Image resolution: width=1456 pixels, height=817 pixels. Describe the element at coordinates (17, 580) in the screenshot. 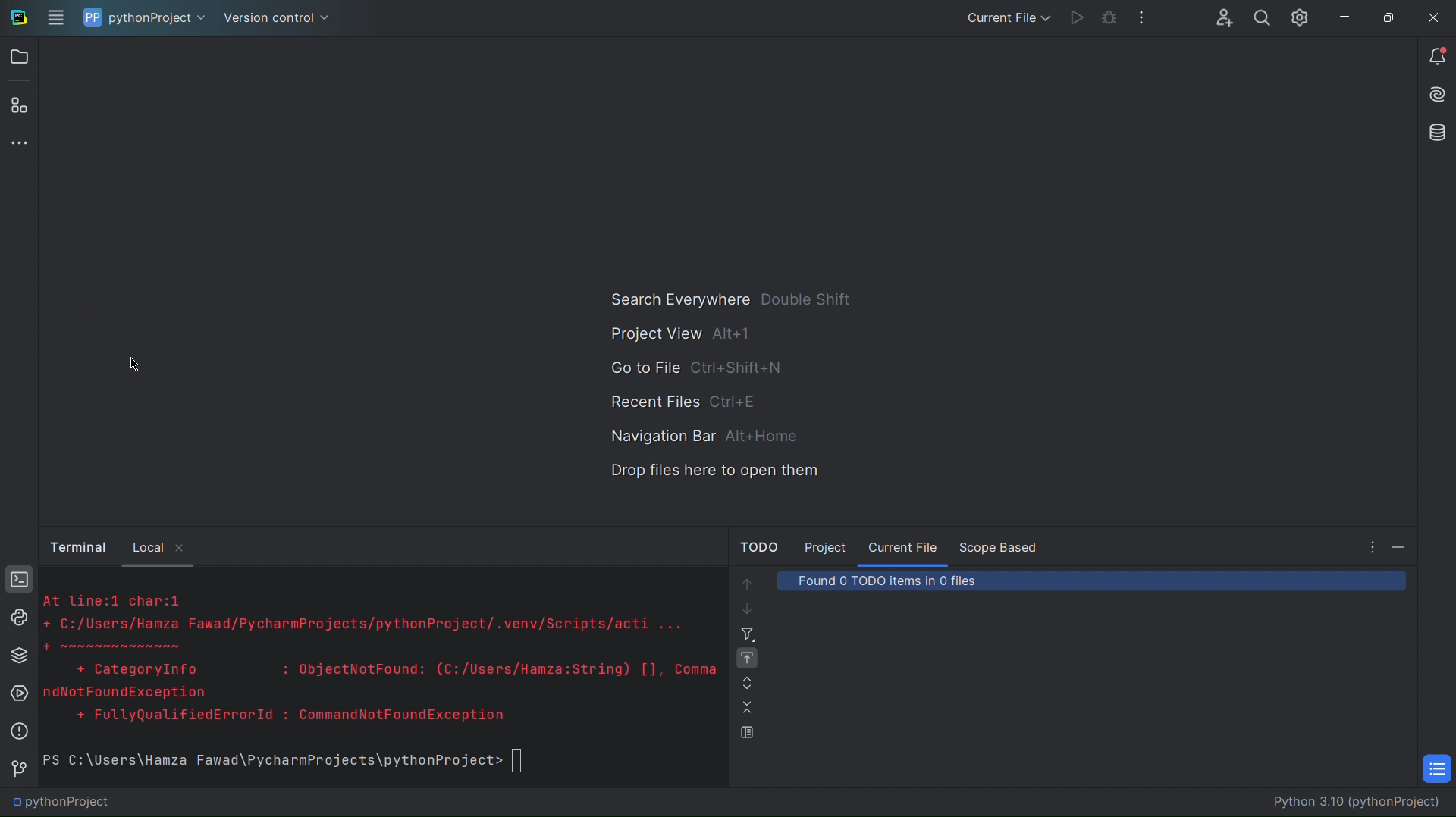

I see `Terminal` at that location.